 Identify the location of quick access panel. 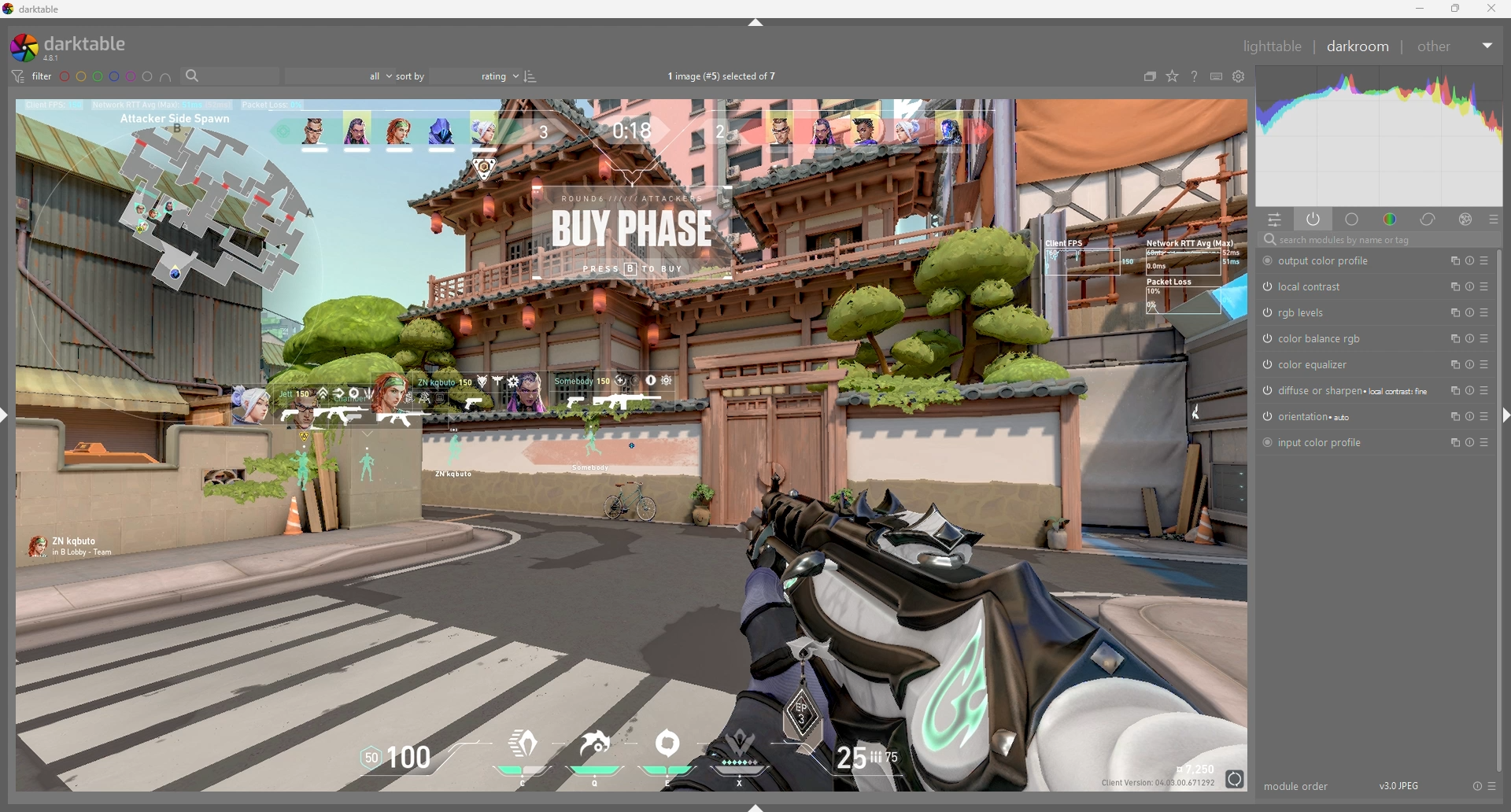
(1276, 219).